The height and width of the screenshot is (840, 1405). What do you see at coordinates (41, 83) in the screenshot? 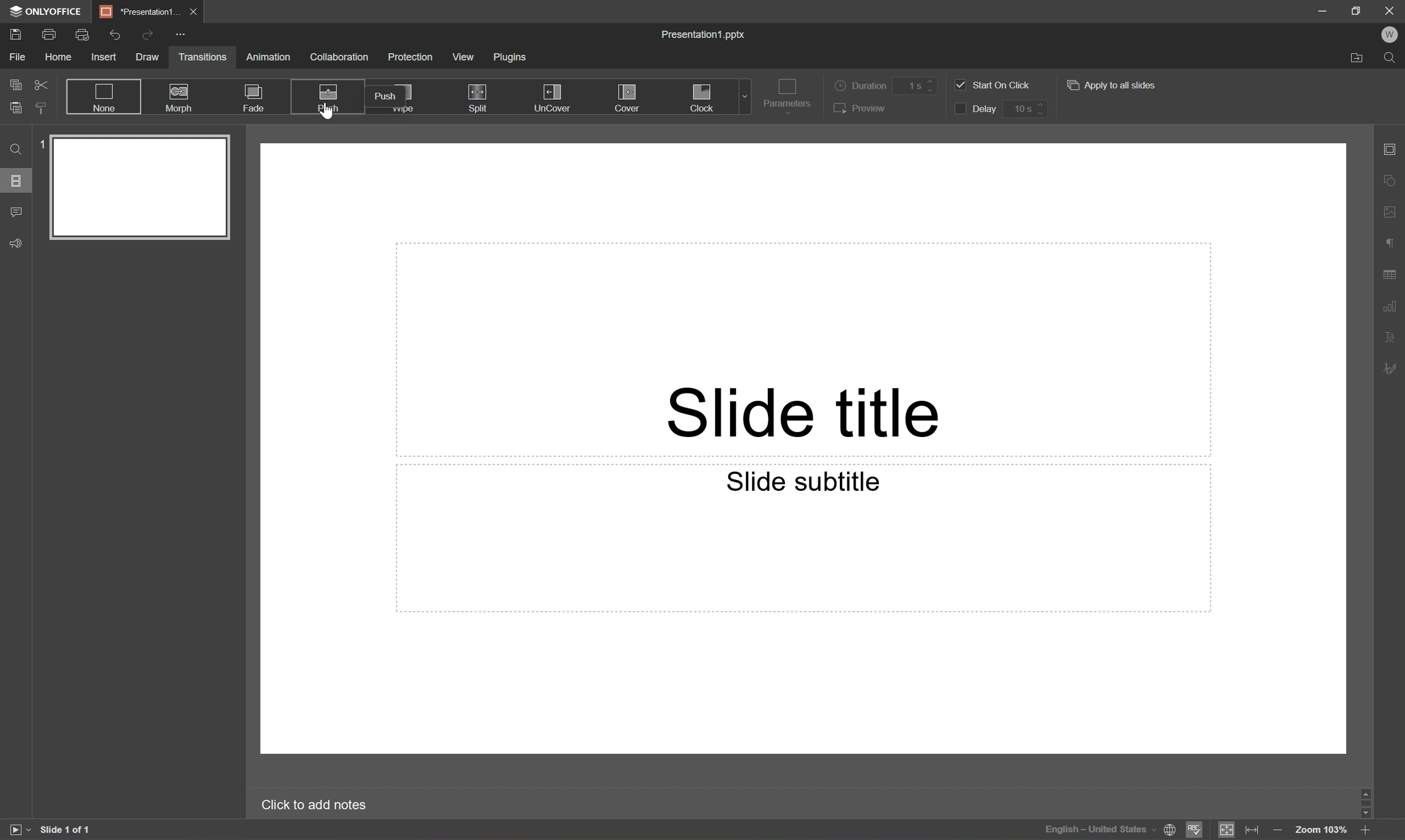
I see `Cut` at bounding box center [41, 83].